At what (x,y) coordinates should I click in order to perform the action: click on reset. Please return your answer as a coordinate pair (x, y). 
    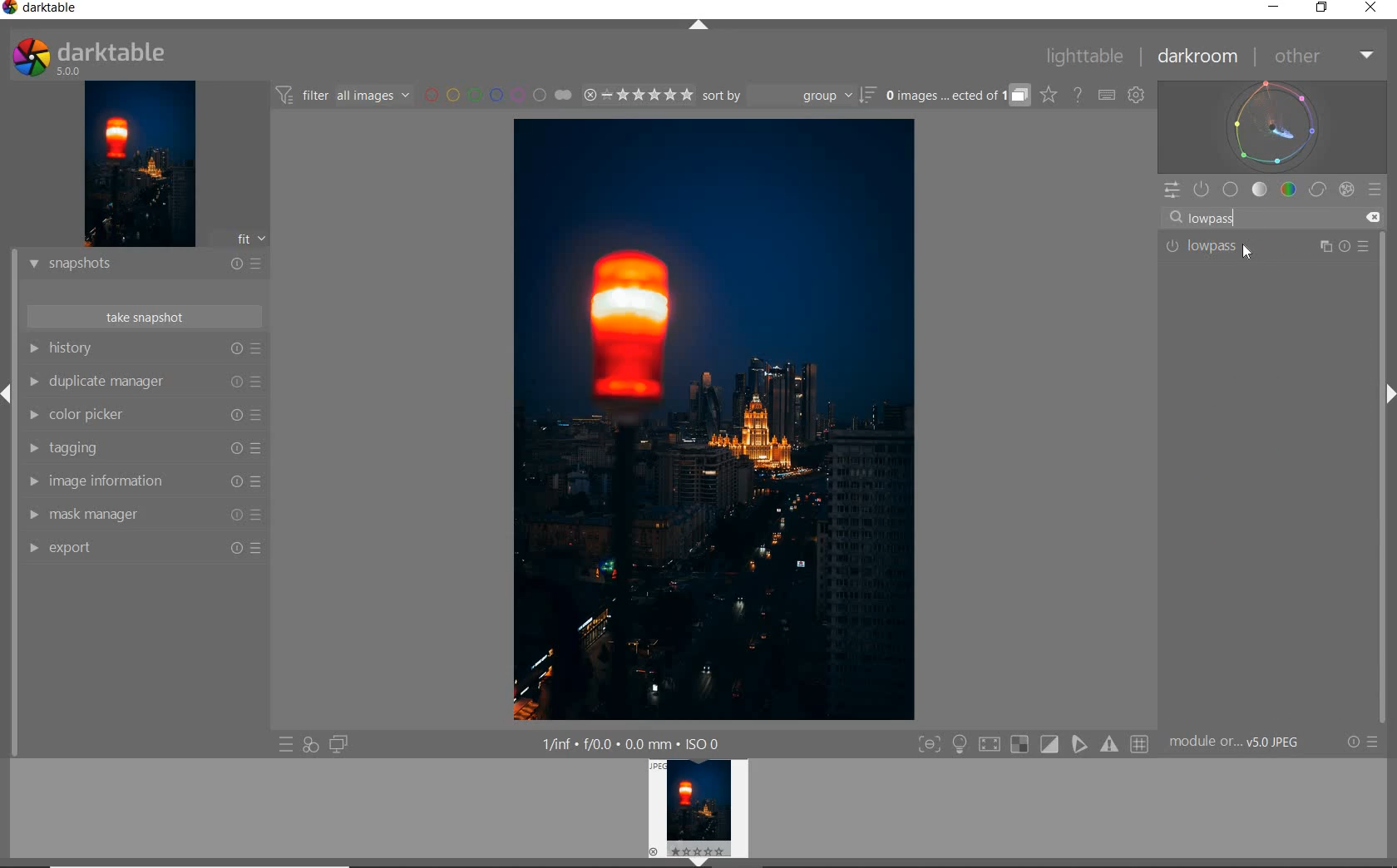
    Looking at the image, I should click on (1347, 249).